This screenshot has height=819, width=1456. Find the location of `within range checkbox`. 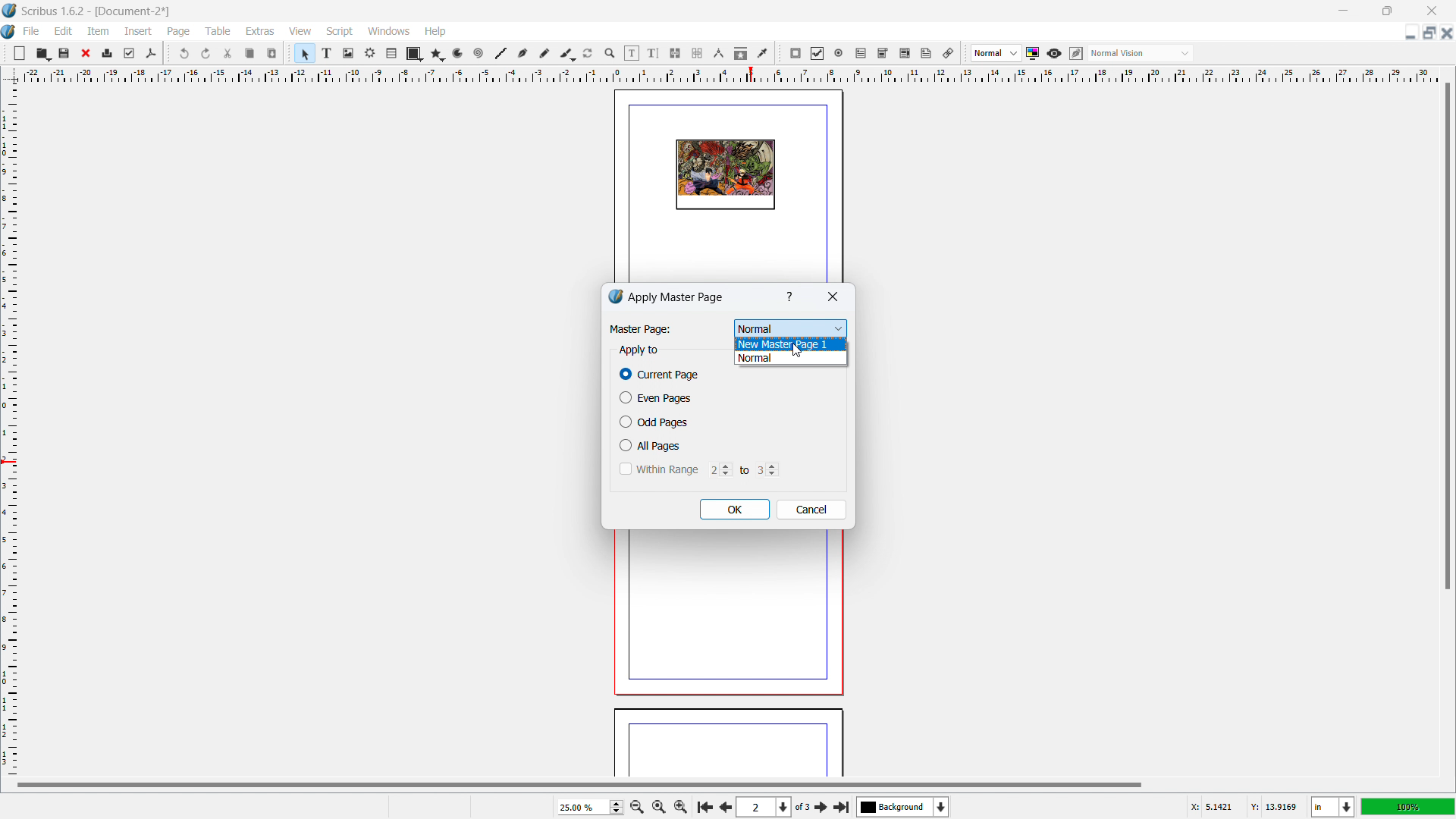

within range checkbox is located at coordinates (657, 469).